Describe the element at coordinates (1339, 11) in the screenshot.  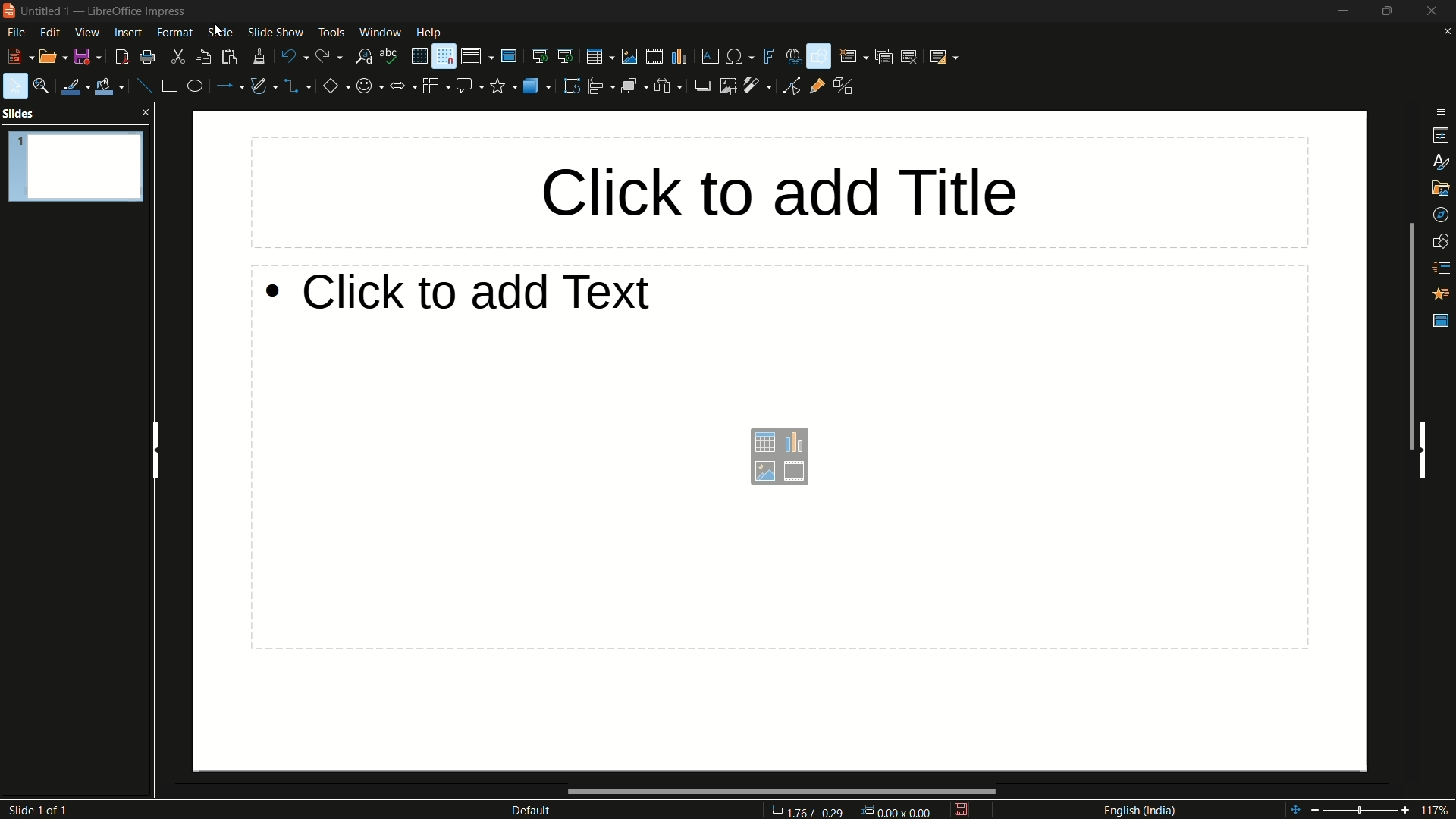
I see `minimize` at that location.